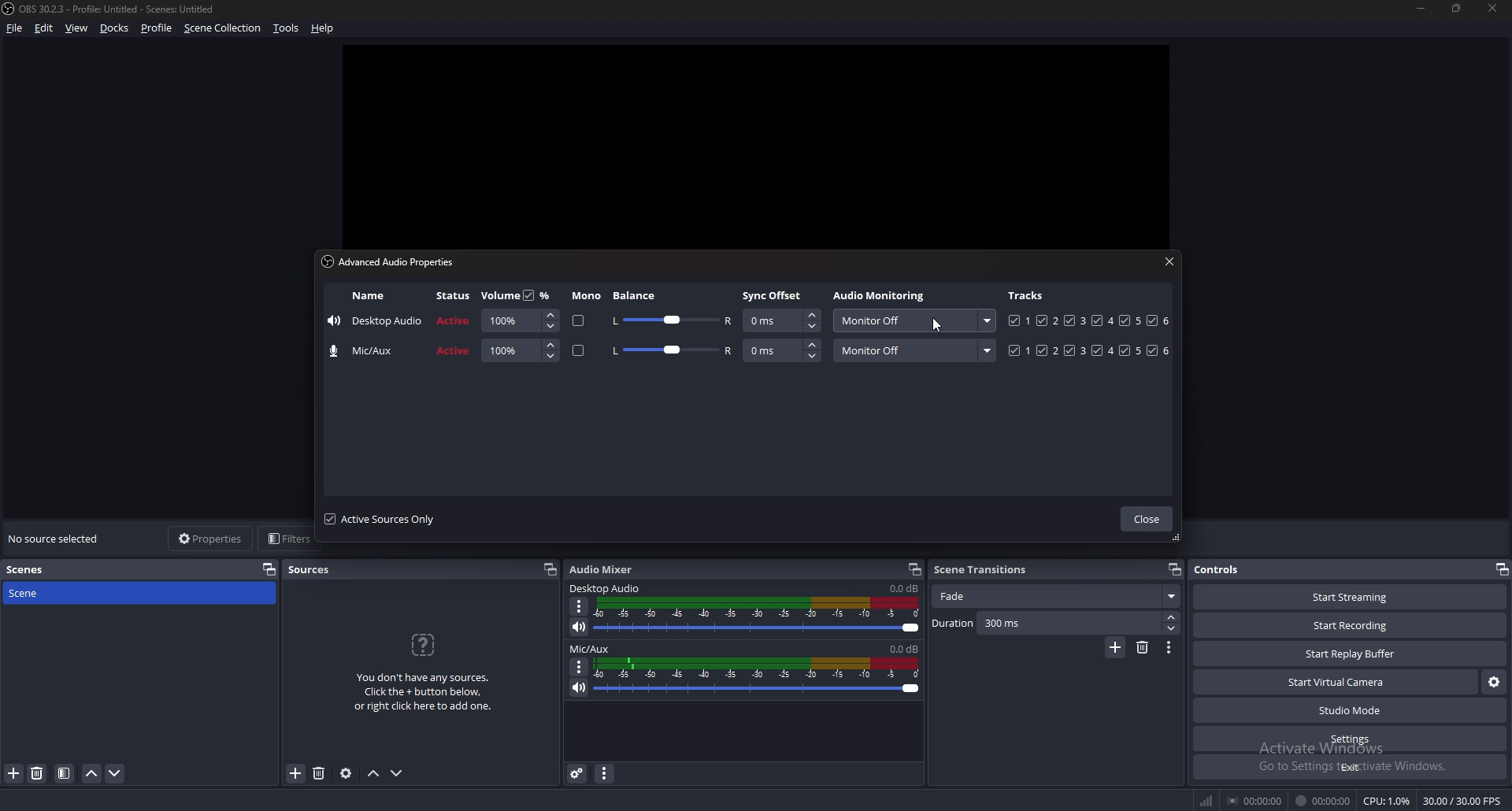 This screenshot has height=811, width=1512. I want to click on tools, so click(287, 28).